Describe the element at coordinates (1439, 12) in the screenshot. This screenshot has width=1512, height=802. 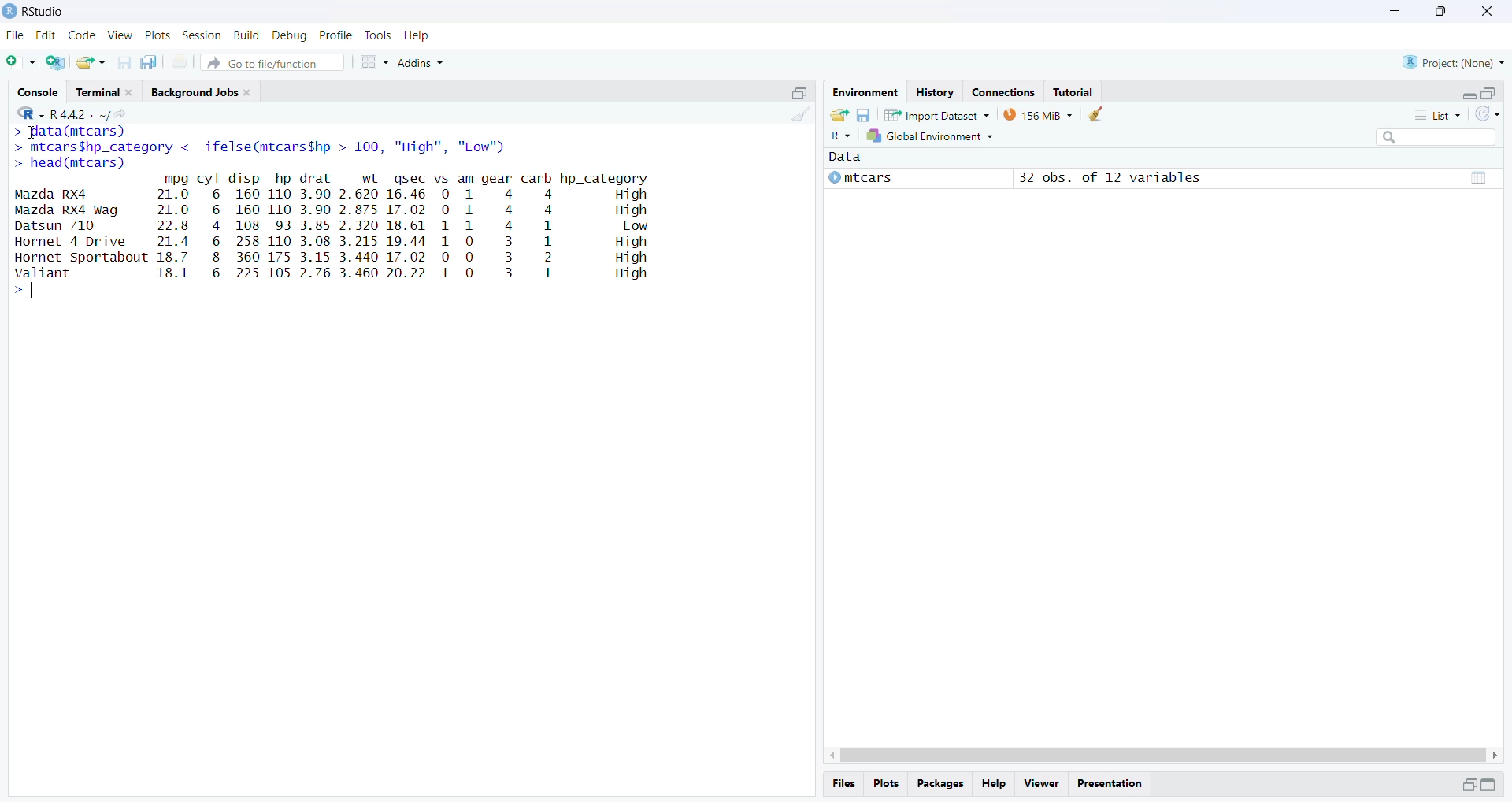
I see `Maximize` at that location.